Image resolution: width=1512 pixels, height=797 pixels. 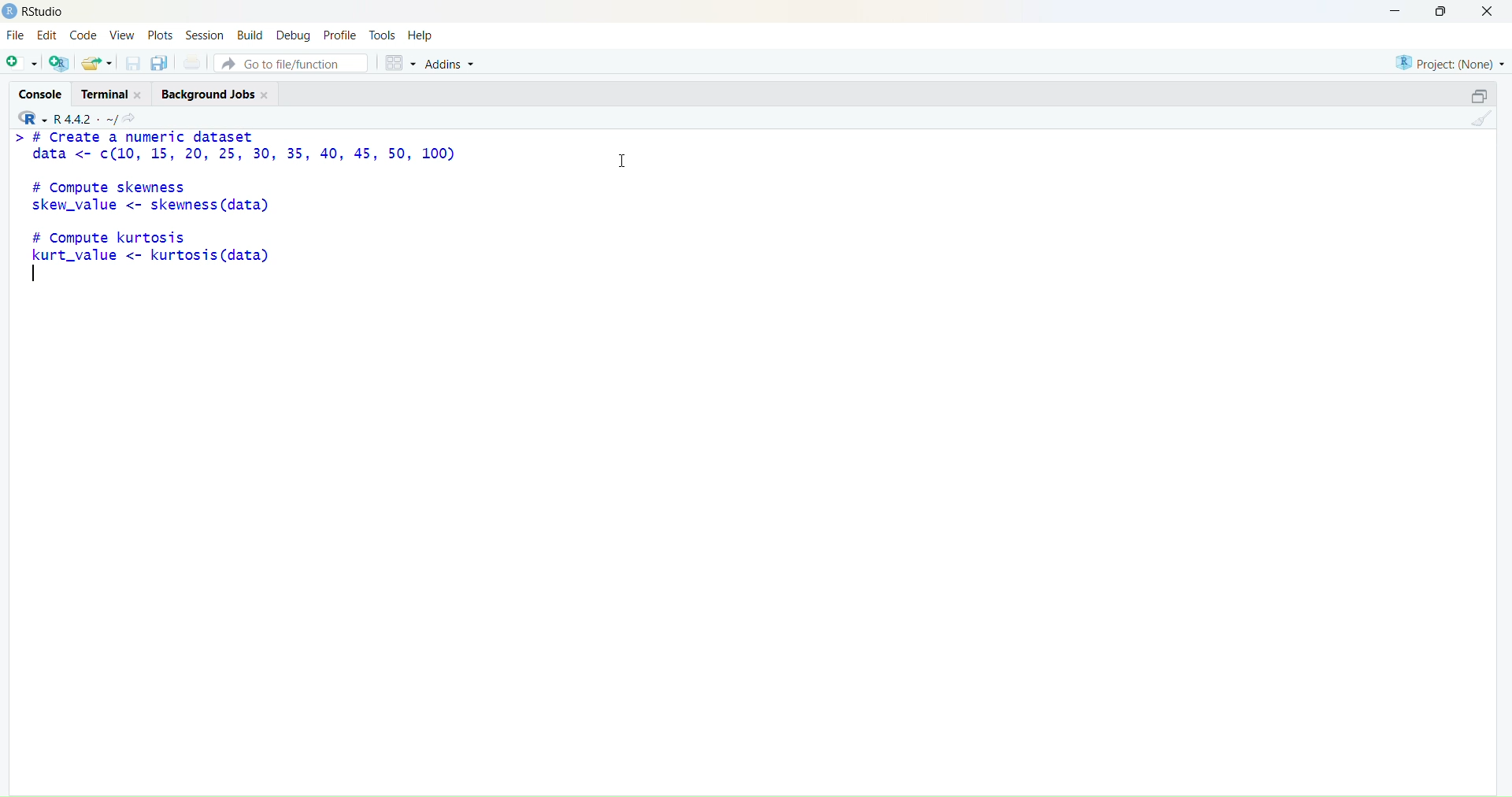 What do you see at coordinates (84, 36) in the screenshot?
I see `Code` at bounding box center [84, 36].